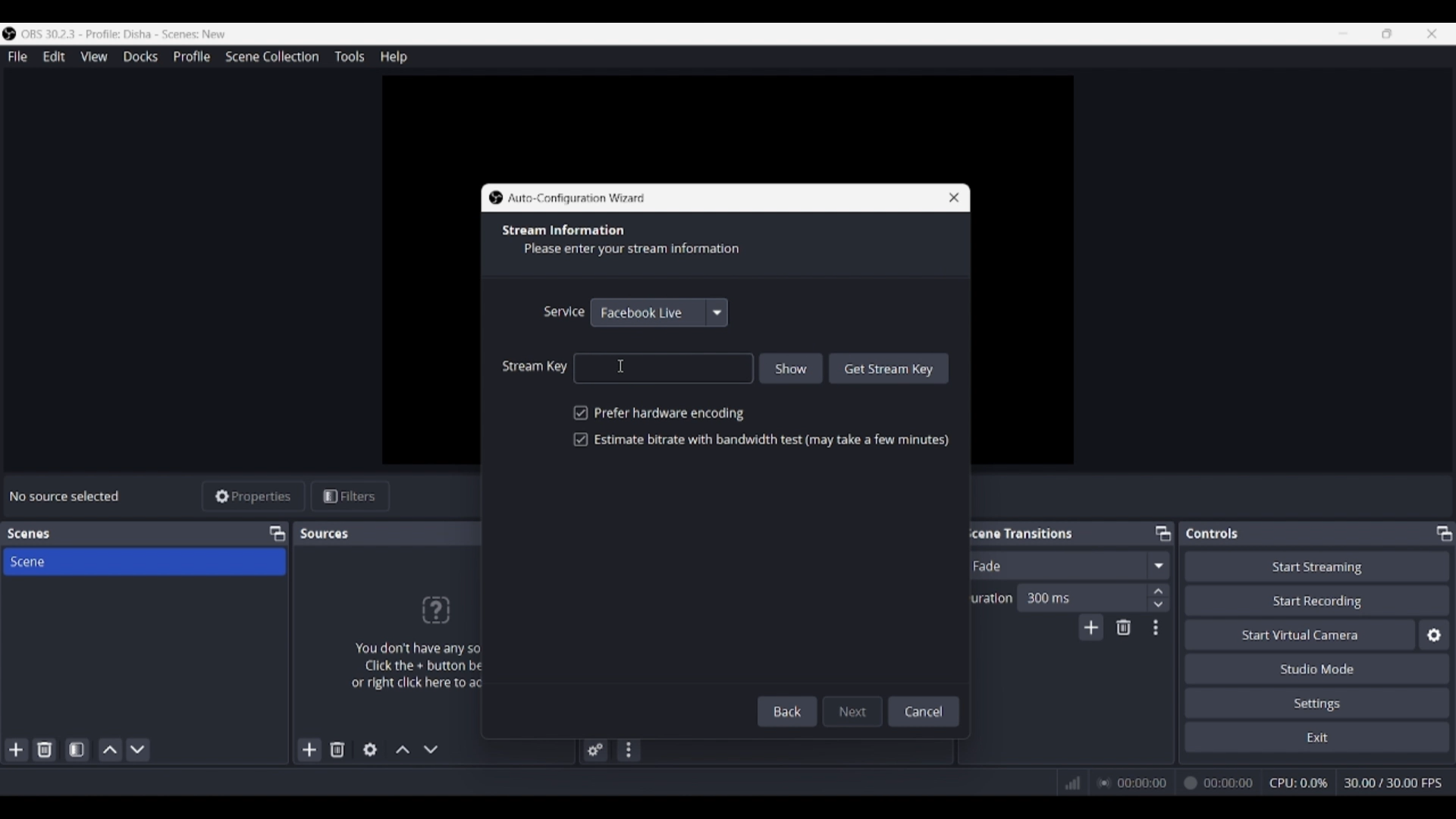 Image resolution: width=1456 pixels, height=819 pixels. Describe the element at coordinates (1387, 33) in the screenshot. I see `Show interface in a smaller tab` at that location.